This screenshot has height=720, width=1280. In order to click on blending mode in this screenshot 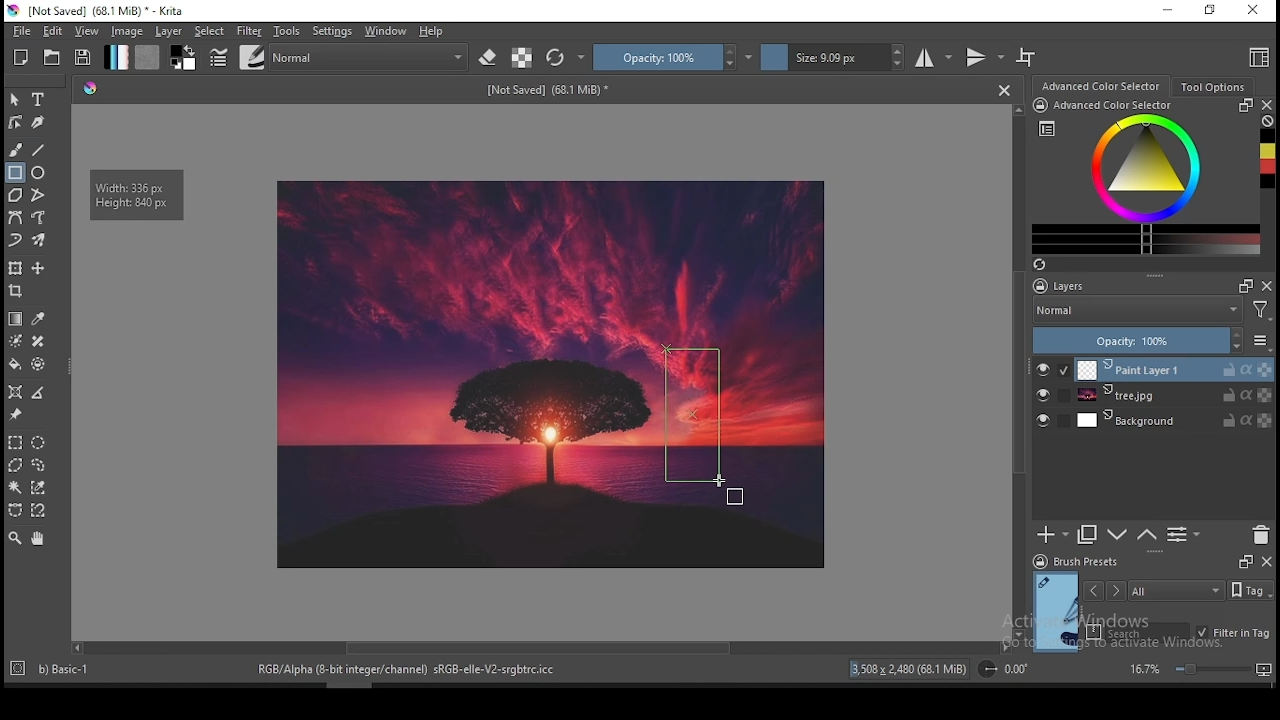, I will do `click(371, 56)`.